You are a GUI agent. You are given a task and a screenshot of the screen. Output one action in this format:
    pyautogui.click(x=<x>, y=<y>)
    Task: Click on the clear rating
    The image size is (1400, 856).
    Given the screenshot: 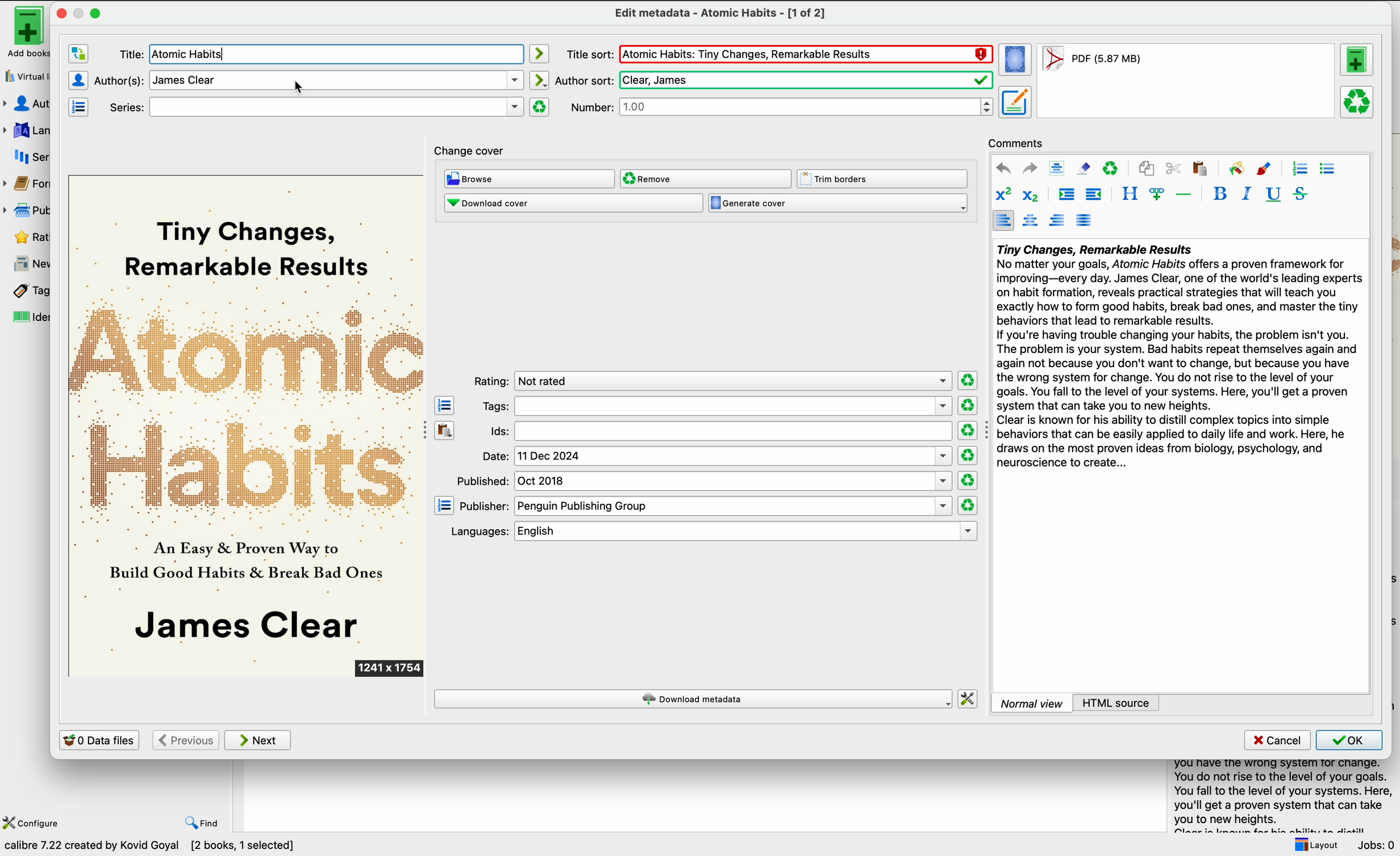 What is the action you would take?
    pyautogui.click(x=967, y=379)
    